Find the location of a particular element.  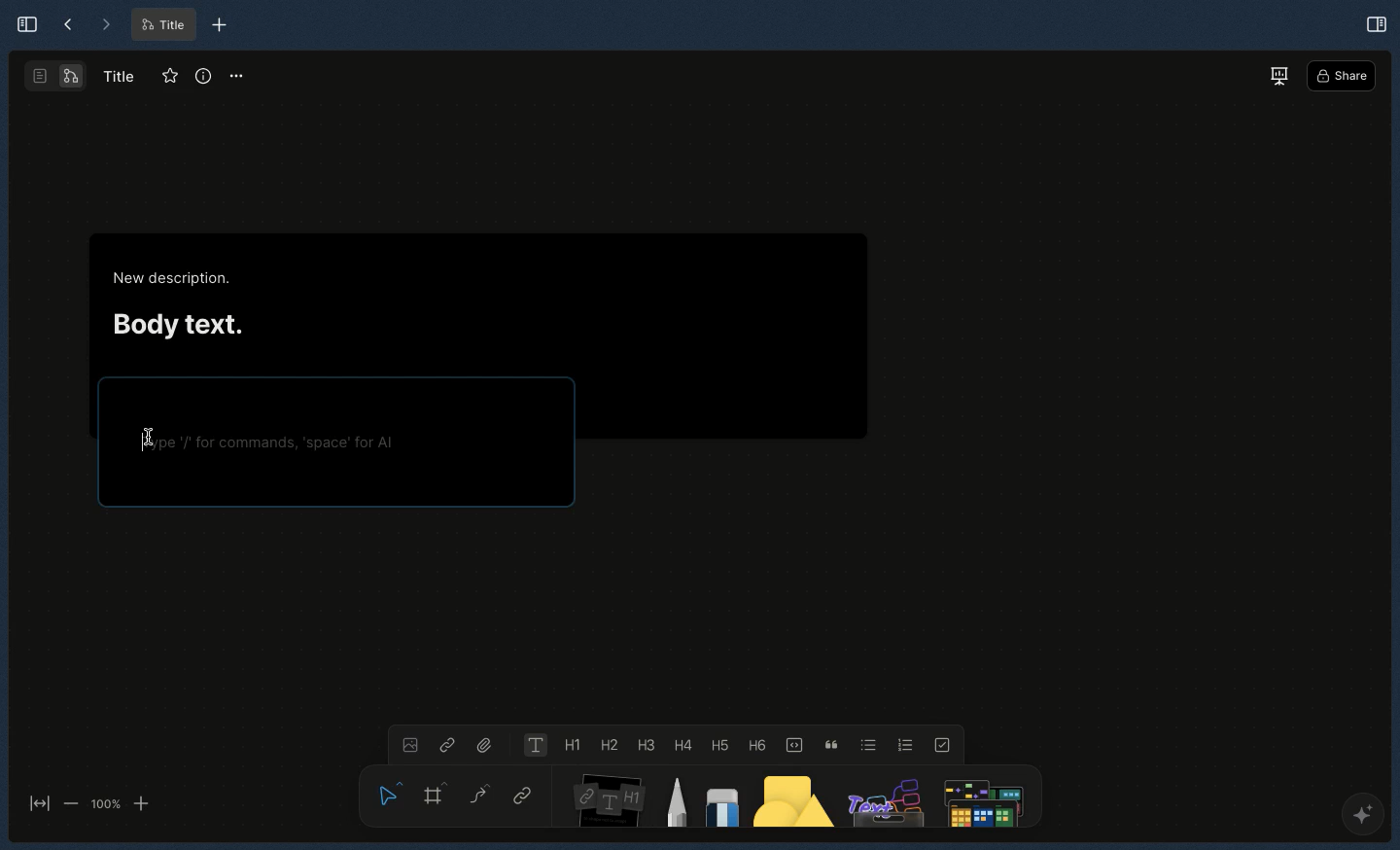

Forward is located at coordinates (105, 25).